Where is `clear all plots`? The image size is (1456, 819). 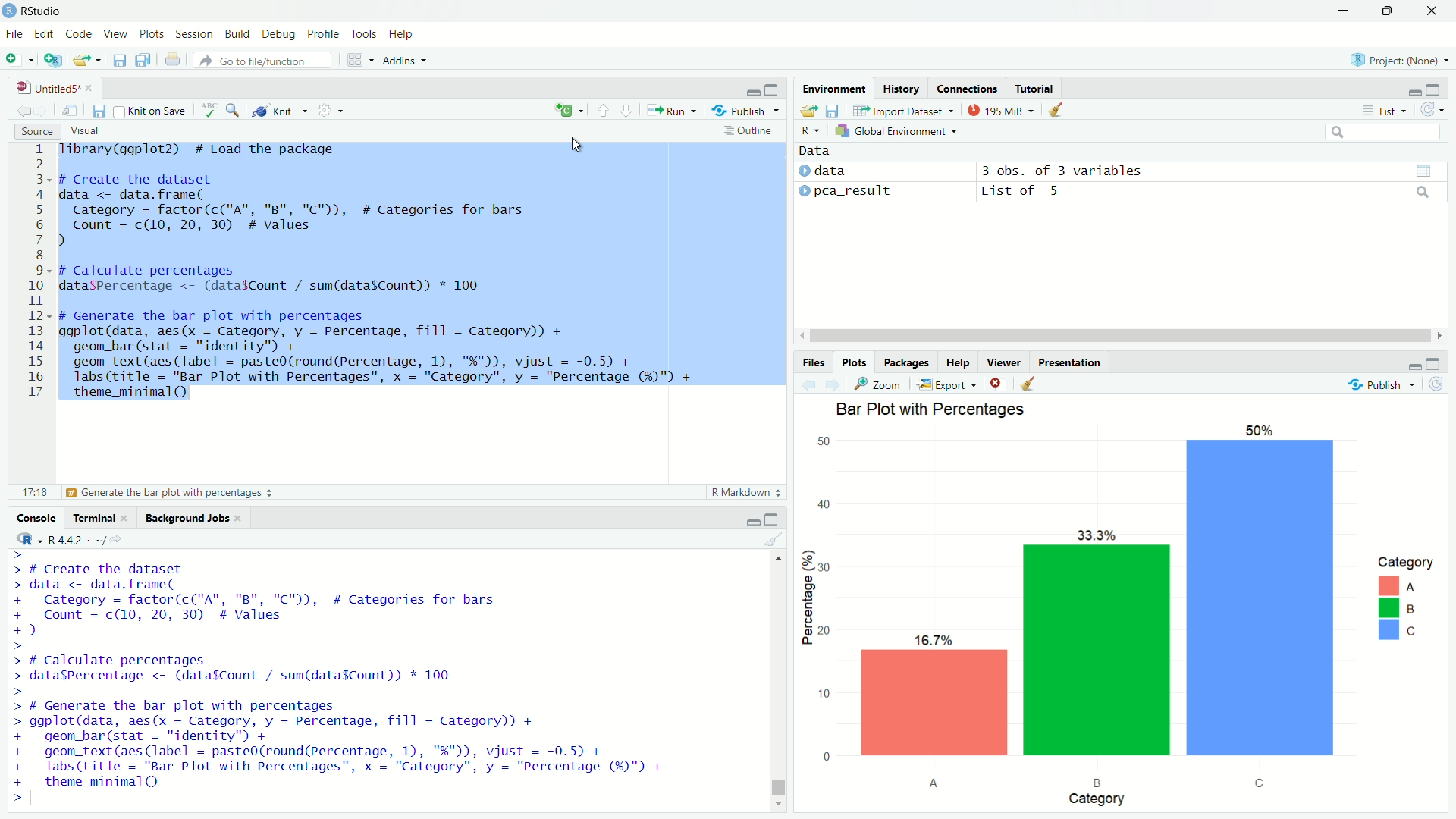
clear all plots is located at coordinates (1028, 384).